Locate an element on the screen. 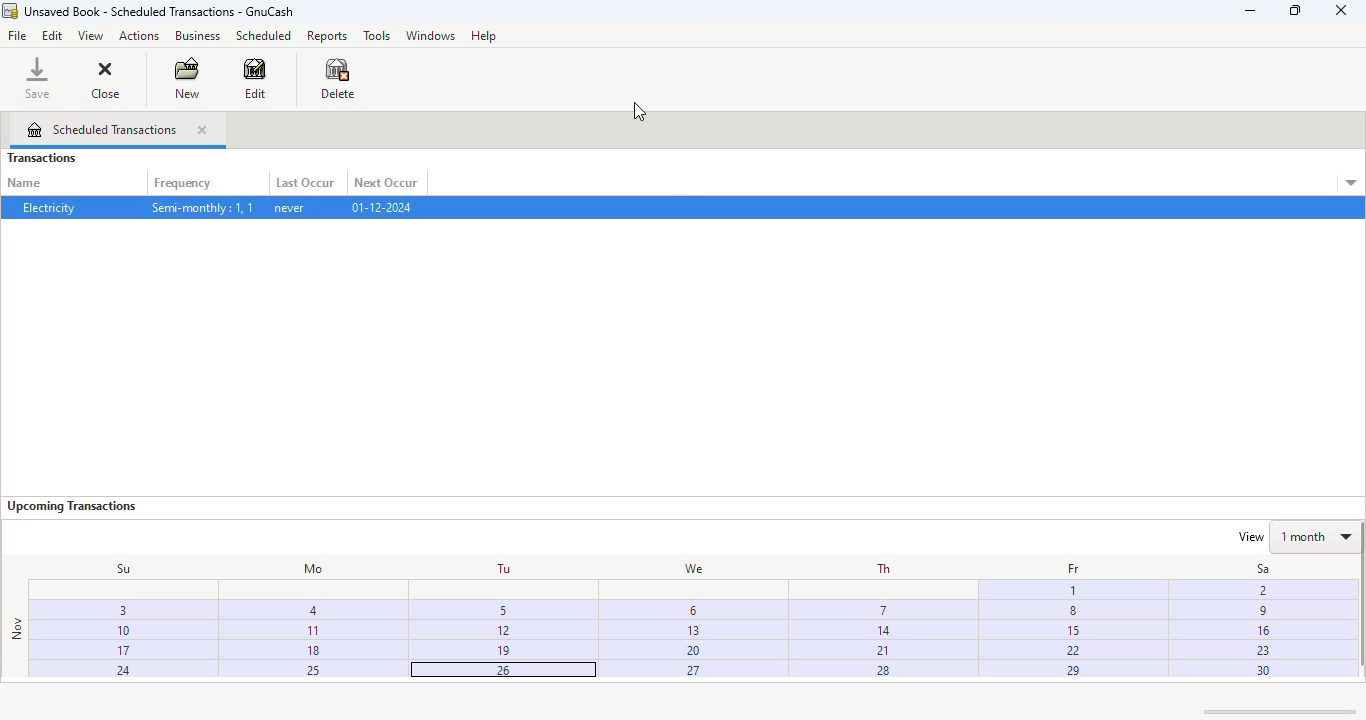  Semi-monthly: 1, 1 is located at coordinates (201, 208).